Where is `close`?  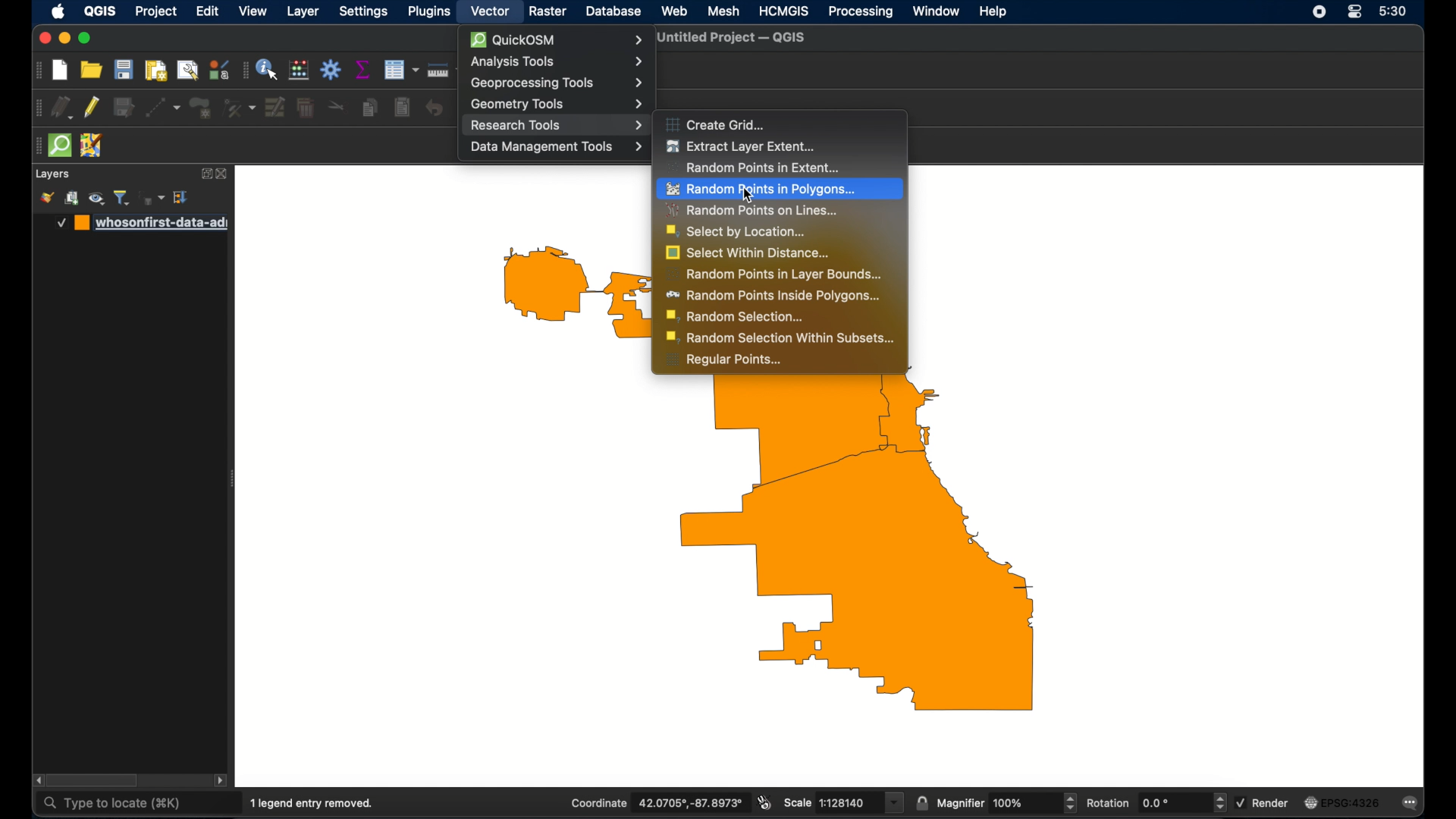 close is located at coordinates (43, 39).